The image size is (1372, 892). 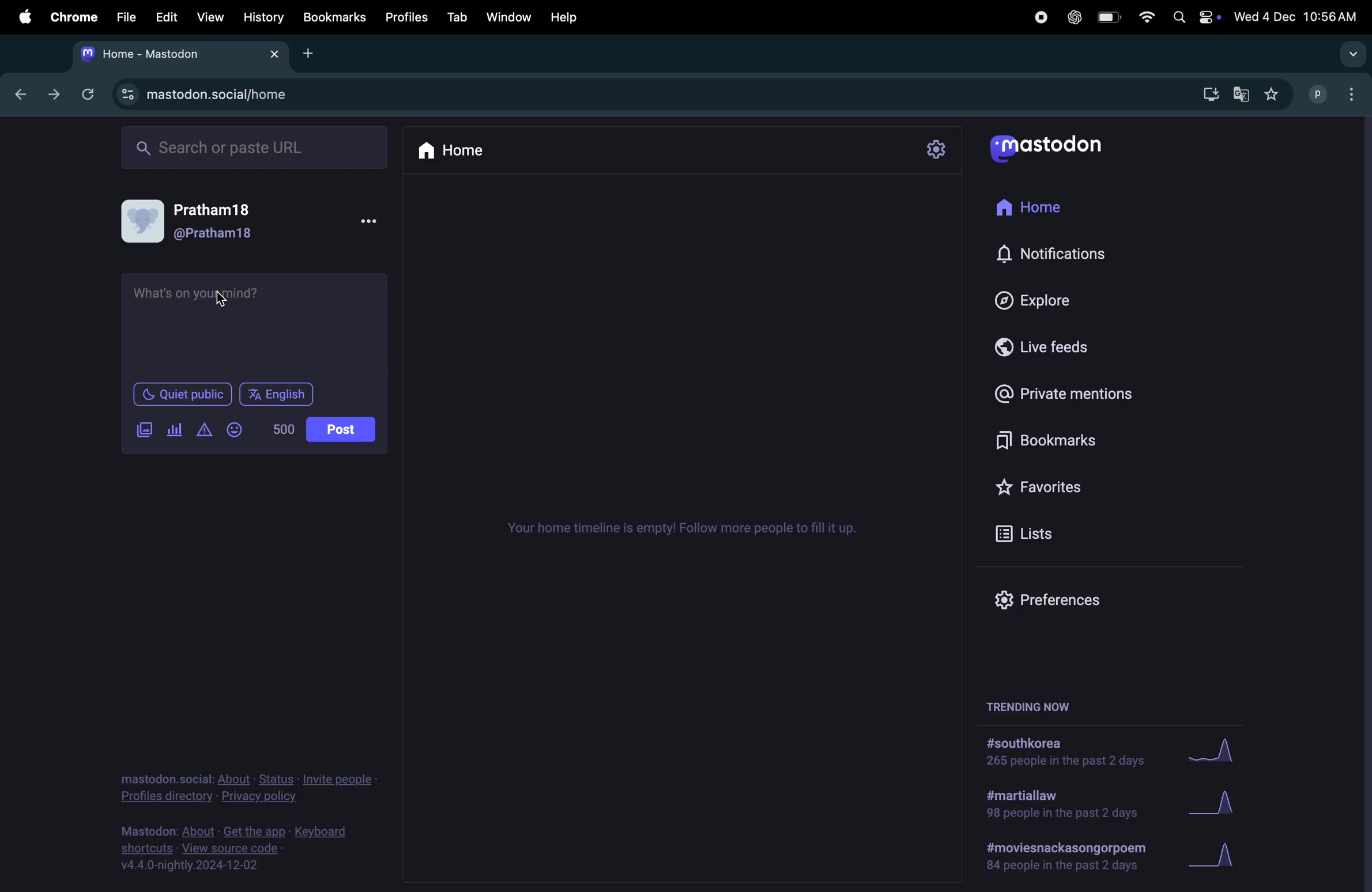 I want to click on next tab, so click(x=59, y=97).